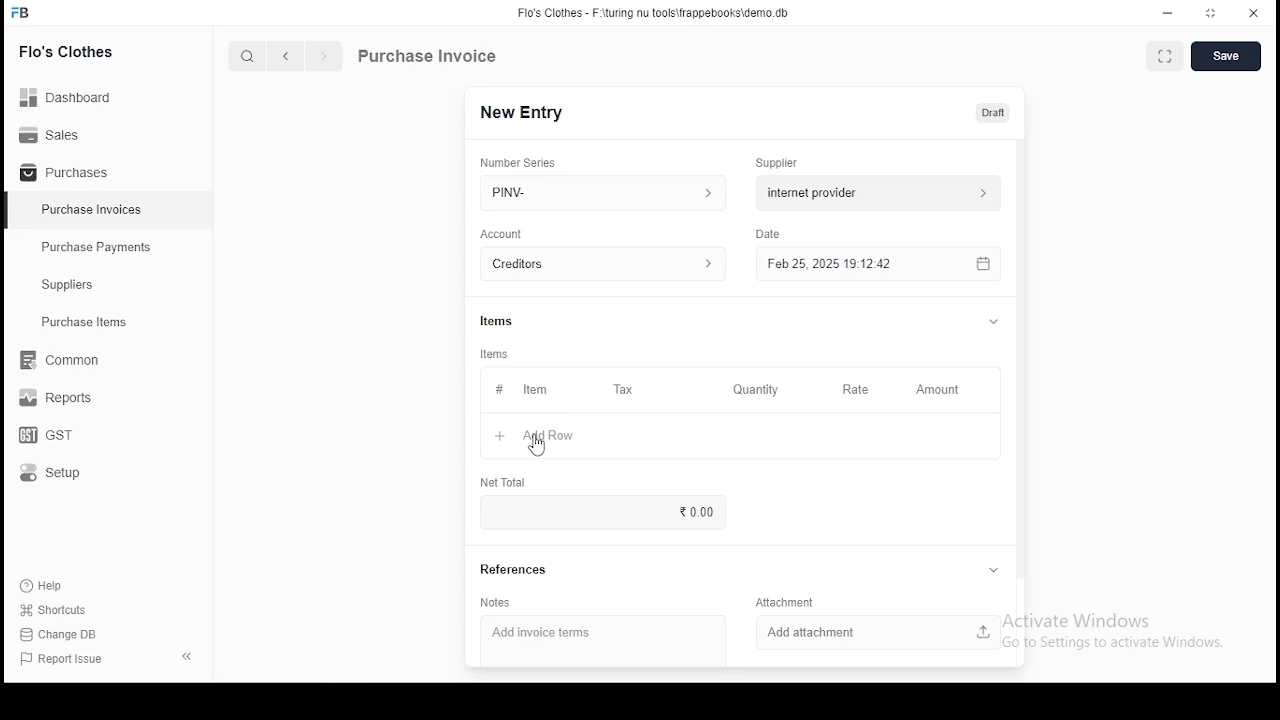 The width and height of the screenshot is (1280, 720). I want to click on search, so click(250, 58).